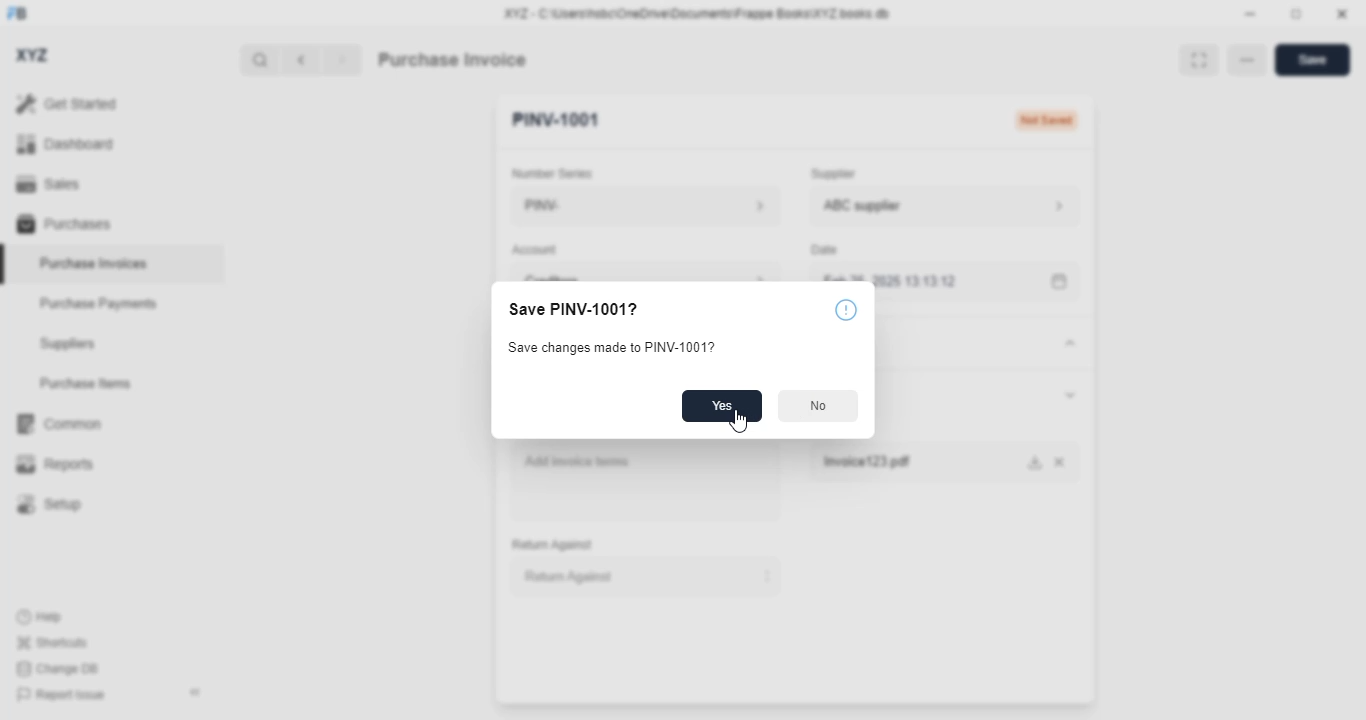  Describe the element at coordinates (818, 406) in the screenshot. I see `no` at that location.